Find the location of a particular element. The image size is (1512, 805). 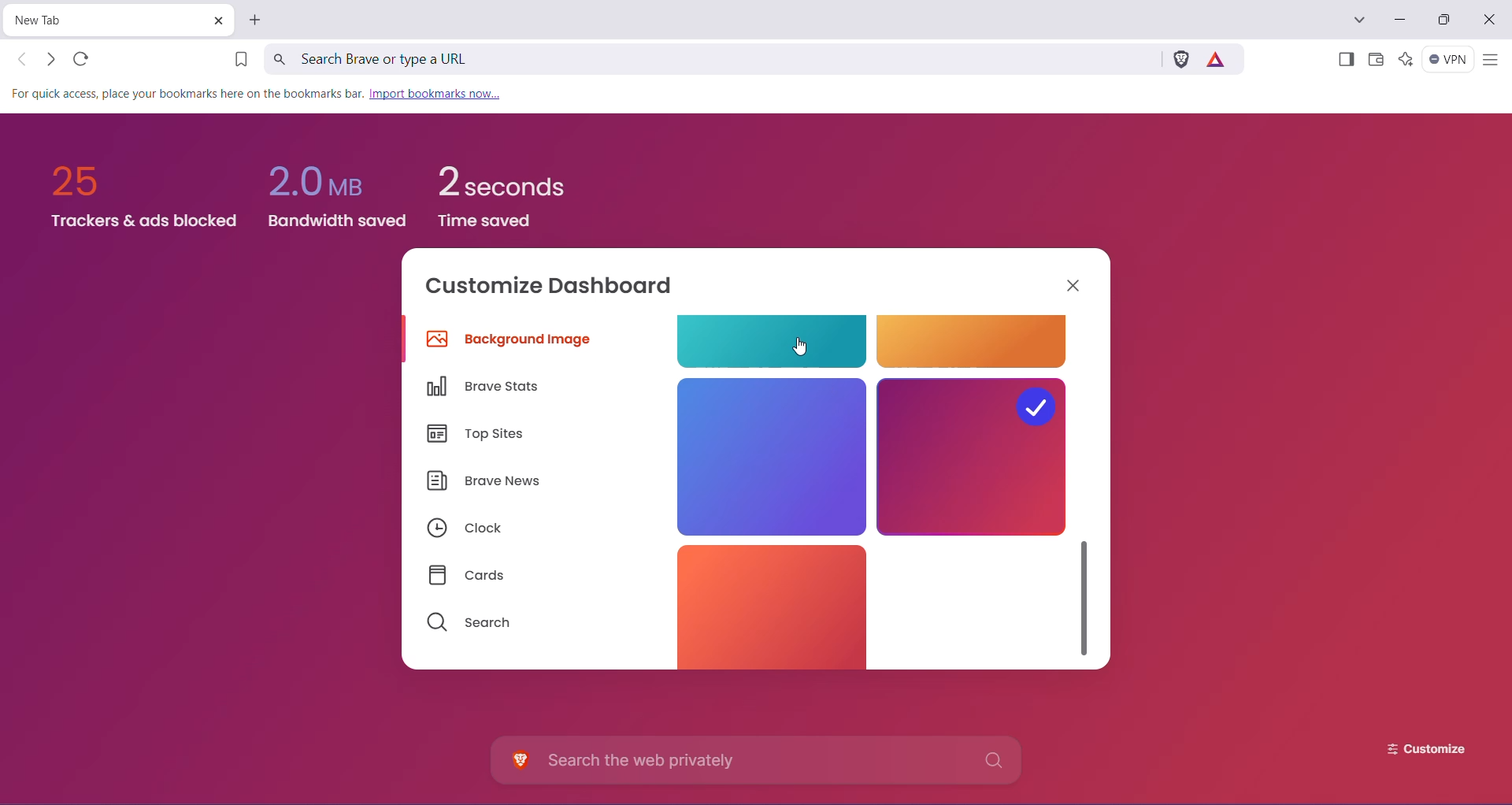

Click to go back, hold to see history is located at coordinates (23, 59).